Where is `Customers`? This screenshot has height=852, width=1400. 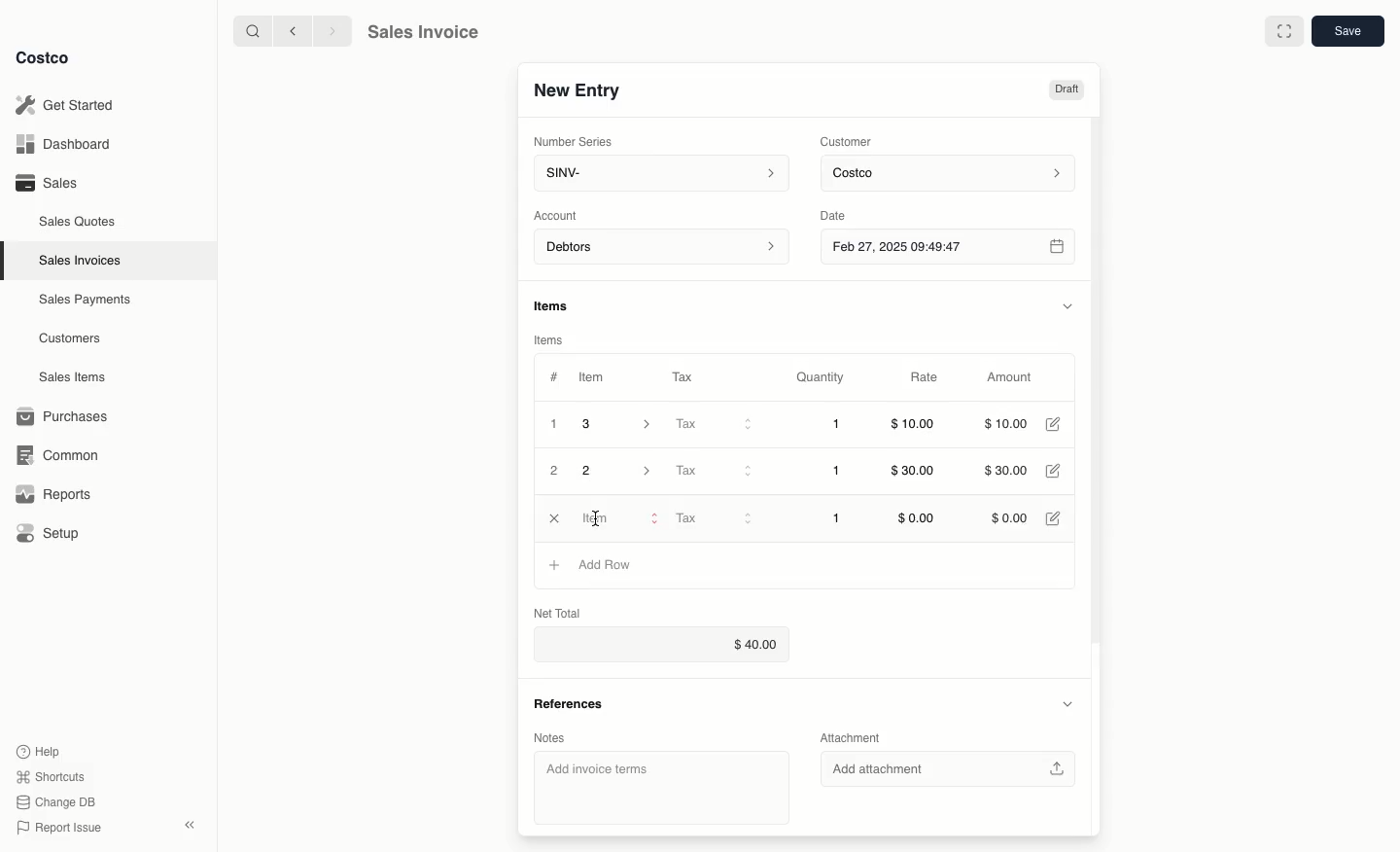 Customers is located at coordinates (73, 338).